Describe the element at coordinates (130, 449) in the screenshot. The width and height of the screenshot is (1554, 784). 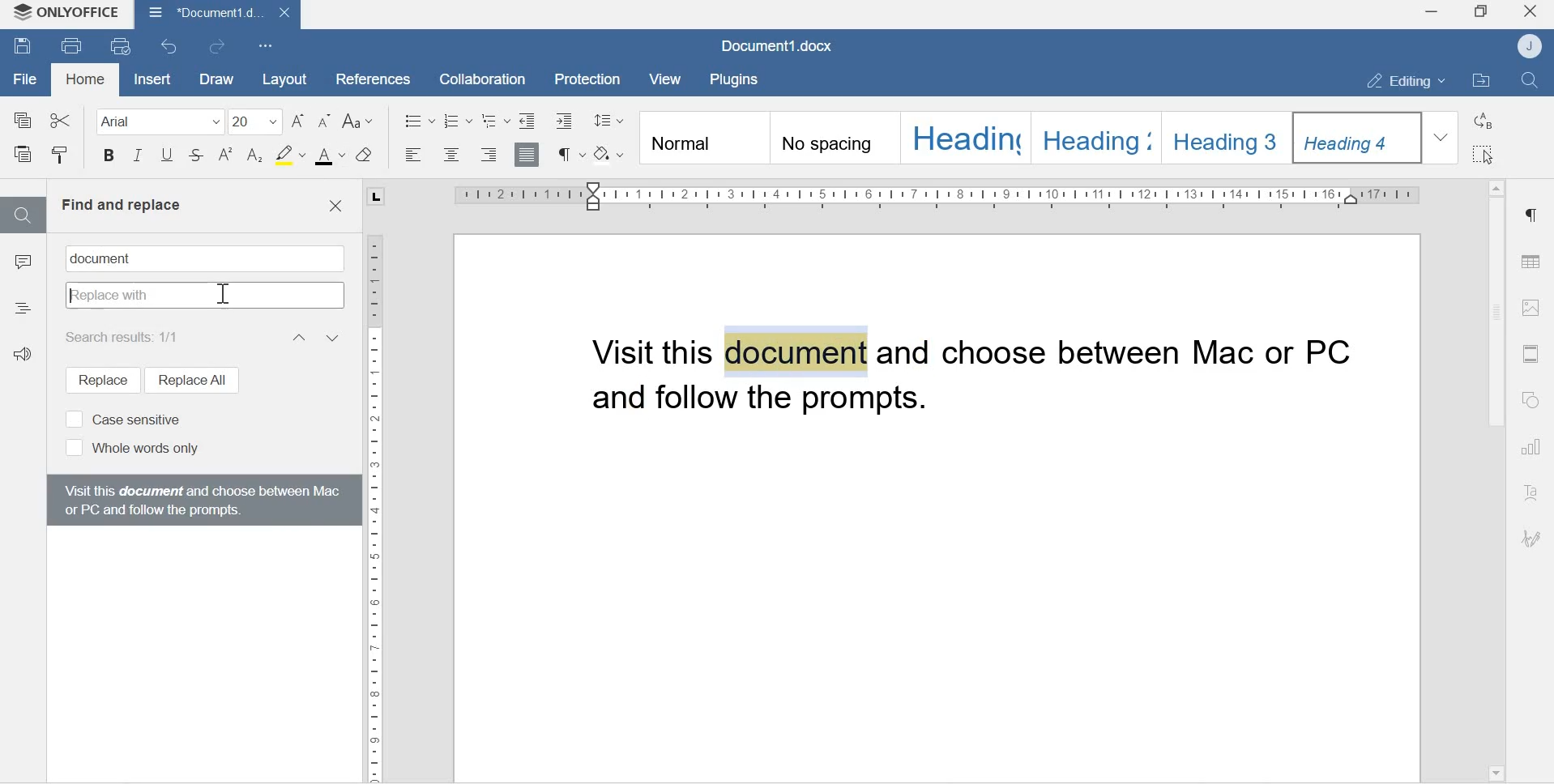
I see `Whole words only` at that location.